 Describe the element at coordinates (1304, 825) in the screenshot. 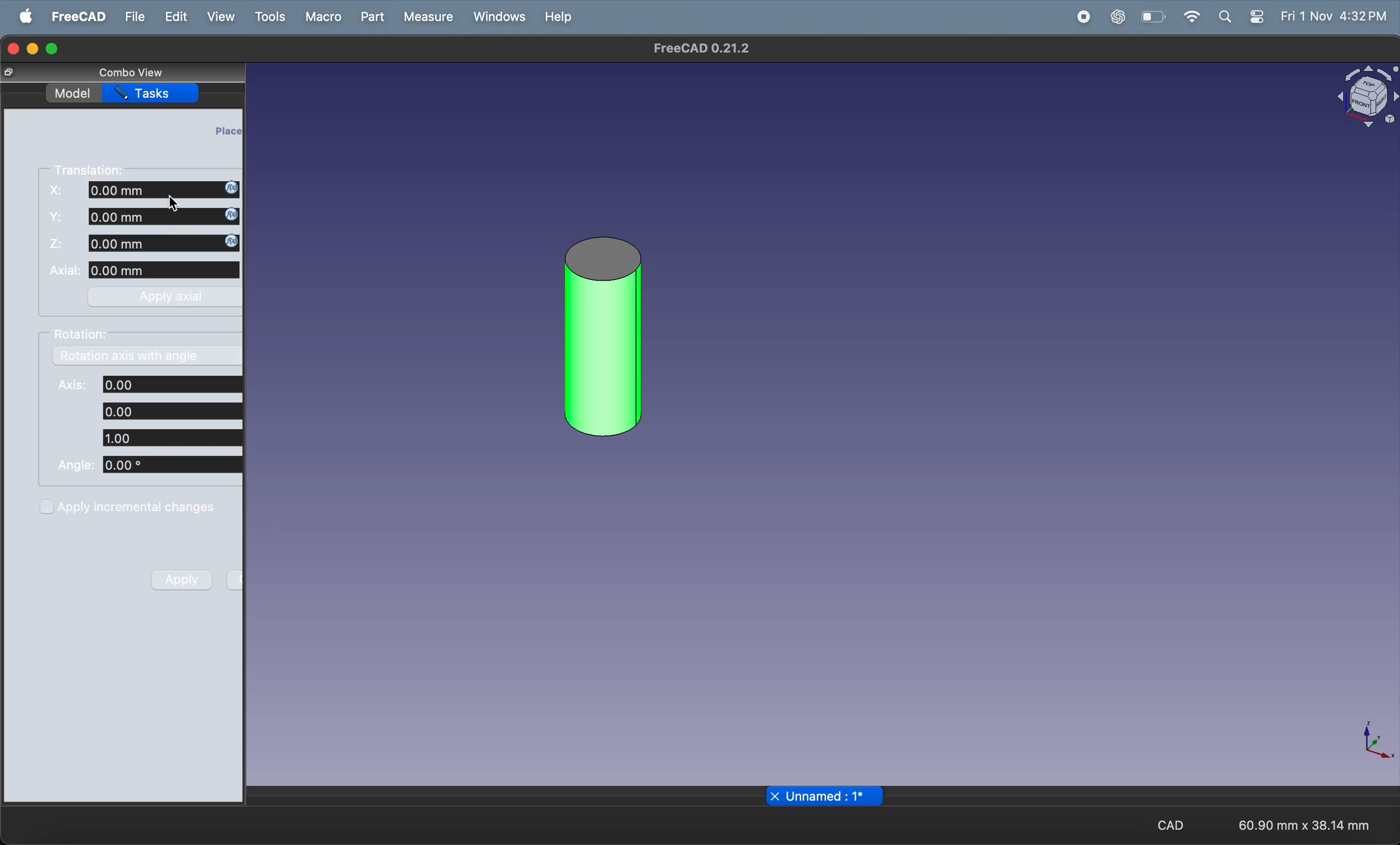

I see `60.90 mm x 38.14 mm` at that location.